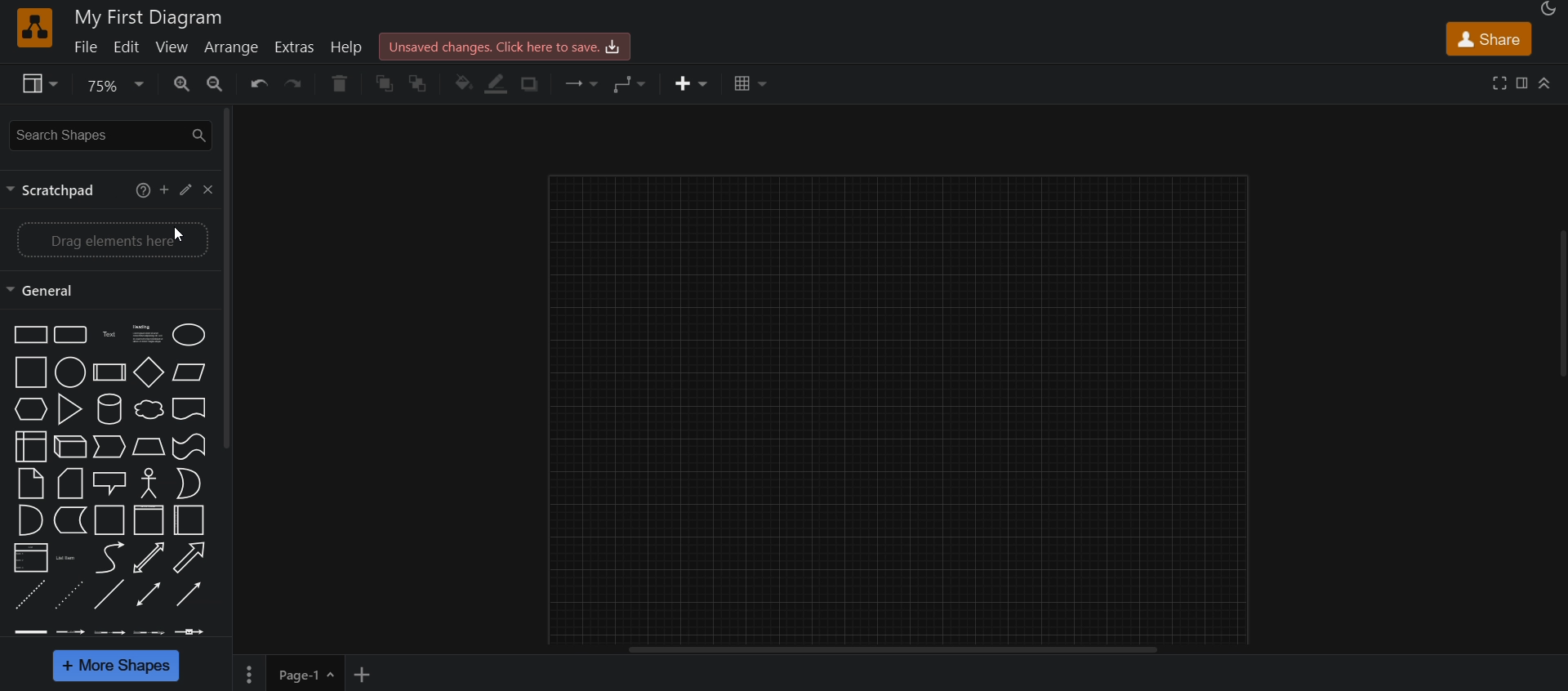 Image resolution: width=1568 pixels, height=691 pixels. Describe the element at coordinates (37, 86) in the screenshot. I see `view` at that location.